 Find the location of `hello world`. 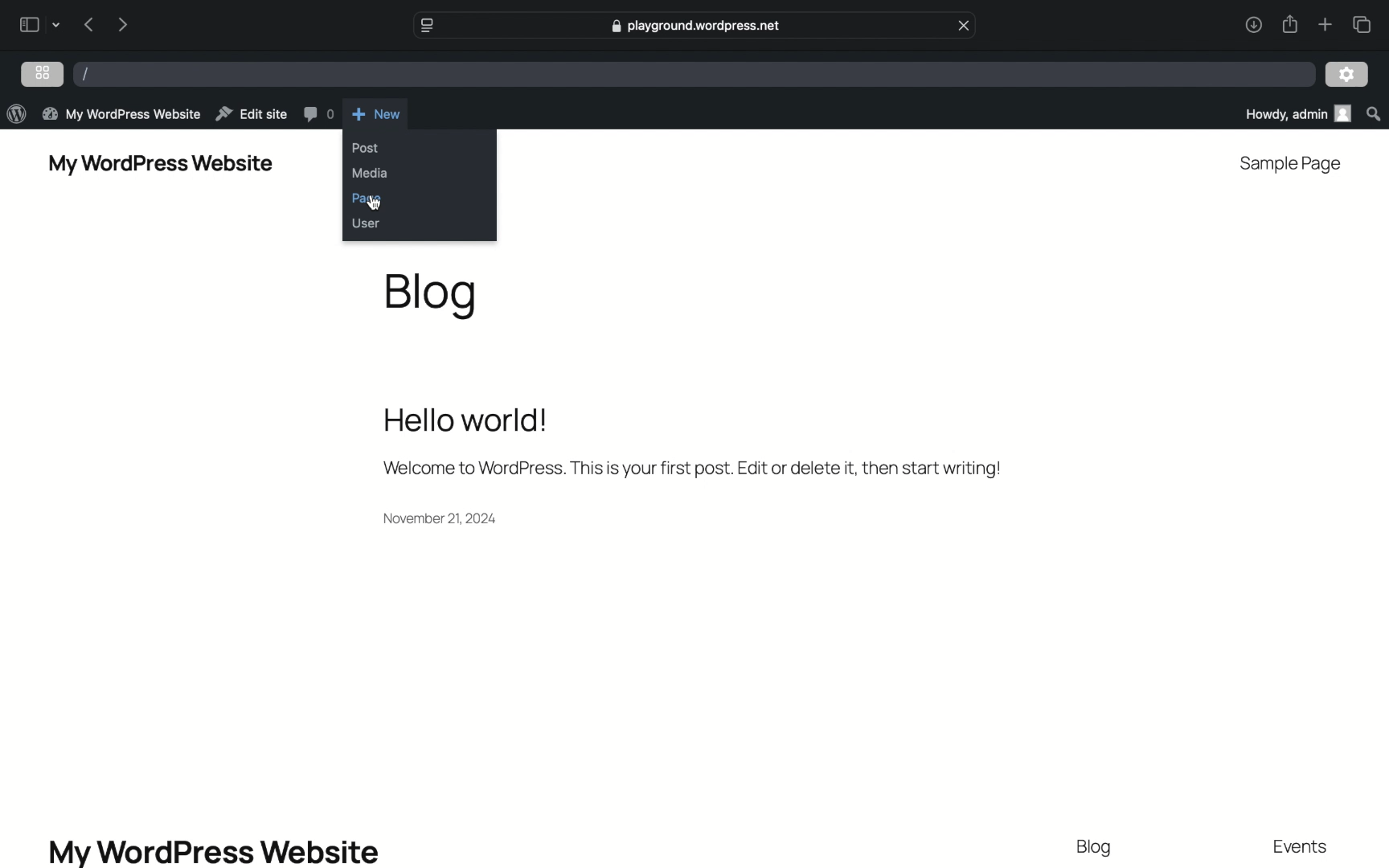

hello world is located at coordinates (465, 420).